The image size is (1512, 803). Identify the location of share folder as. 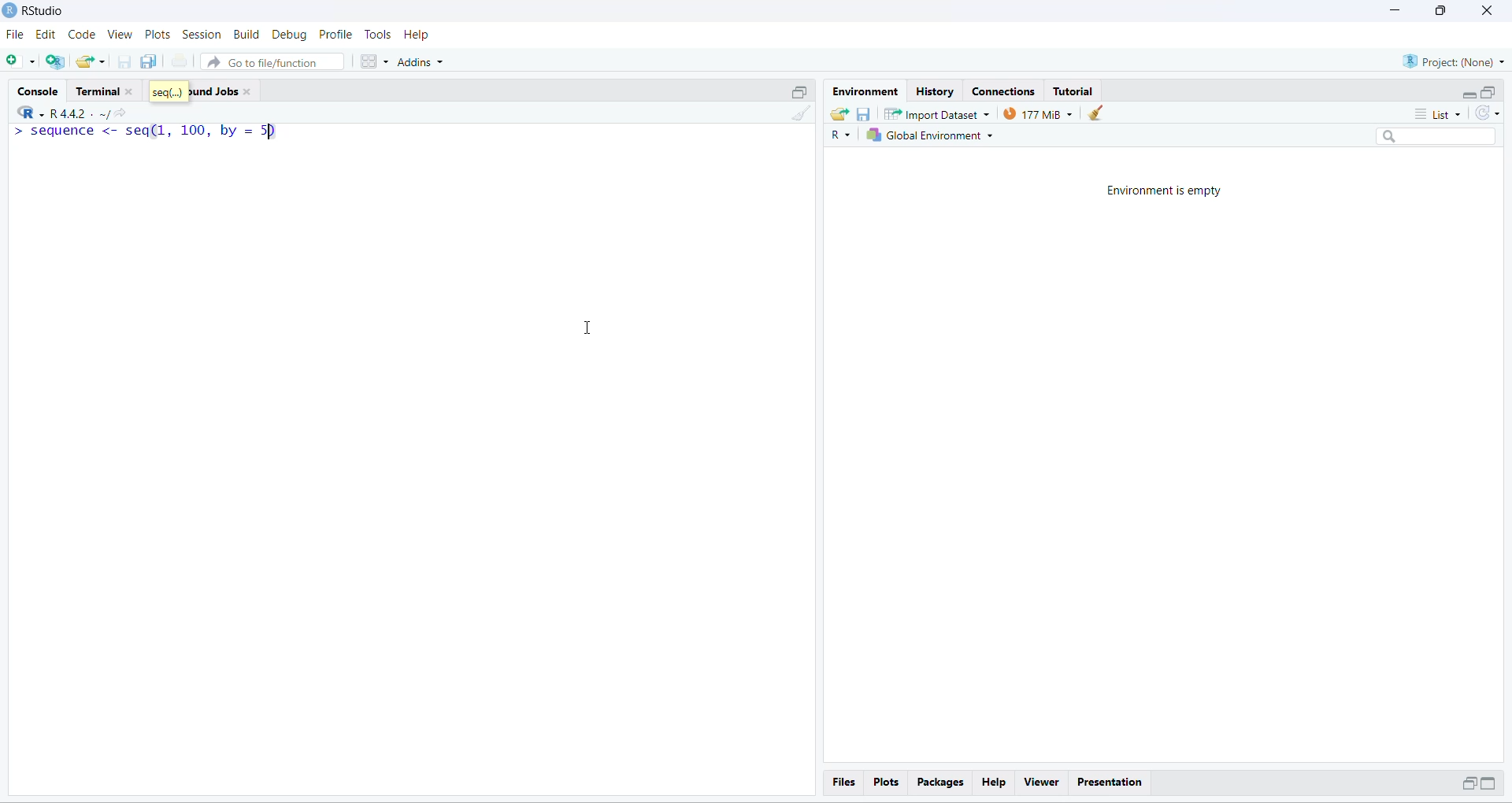
(92, 62).